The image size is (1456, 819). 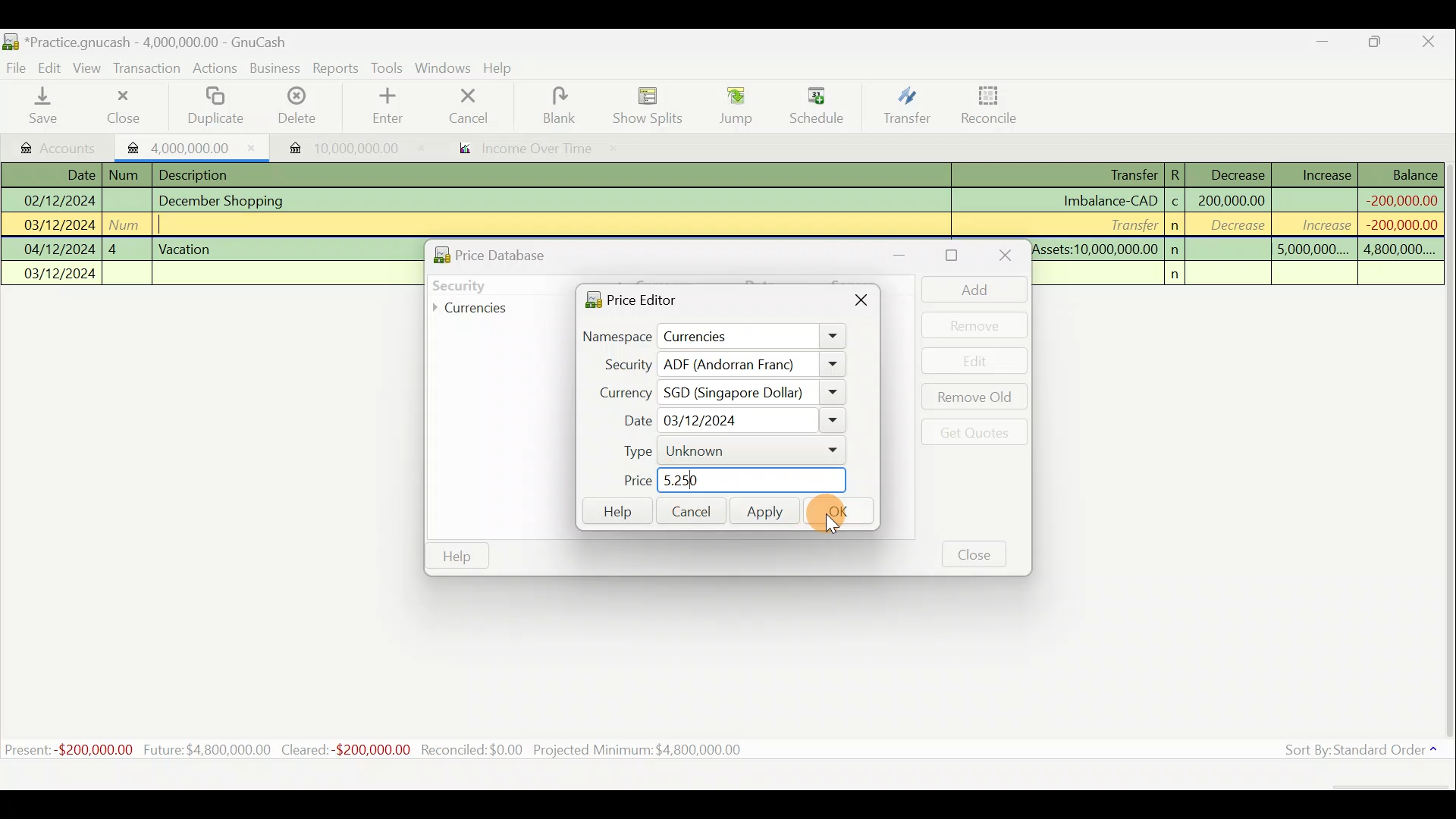 I want to click on Transaction, so click(x=151, y=70).